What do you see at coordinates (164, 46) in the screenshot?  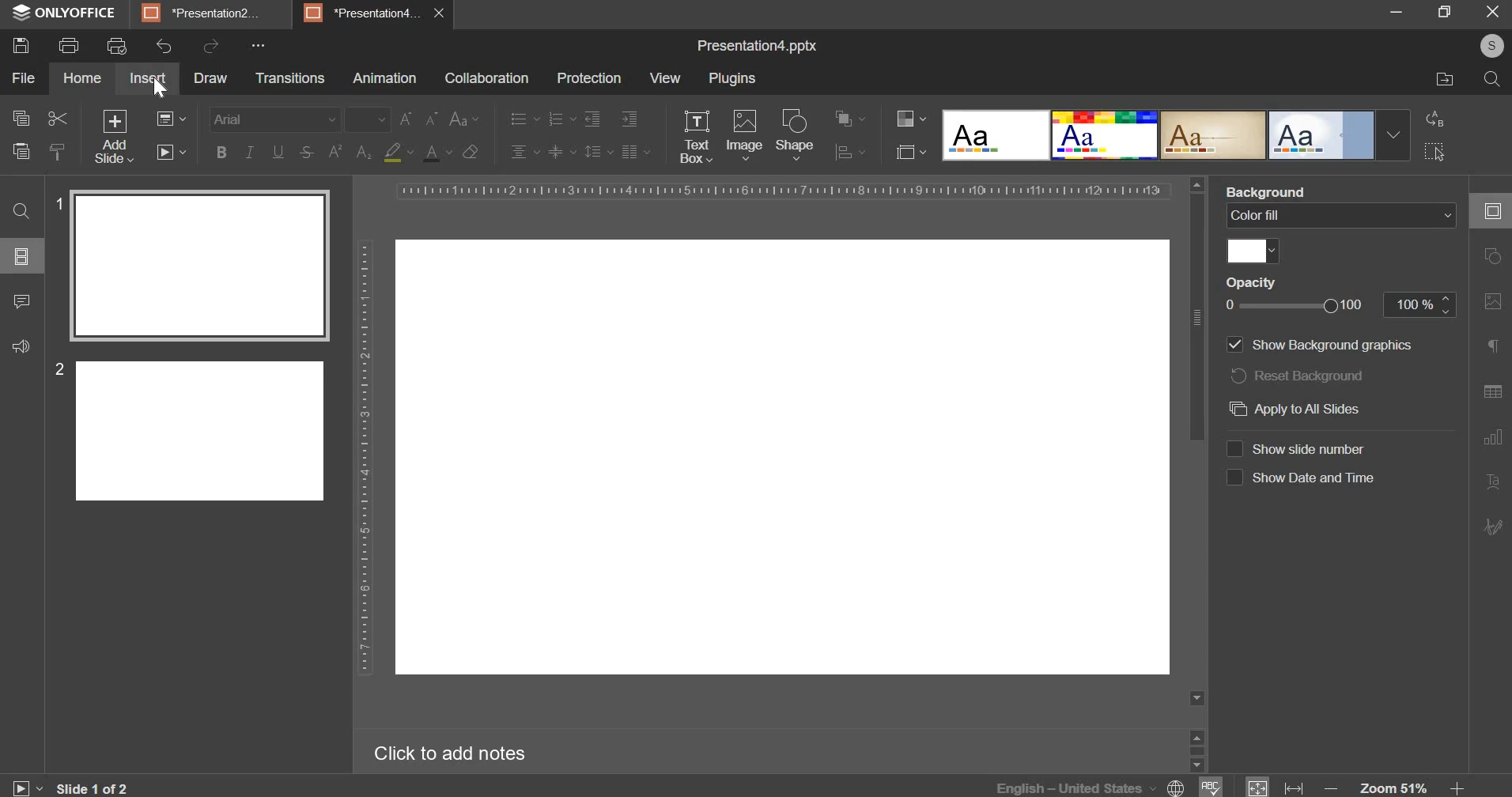 I see `undo` at bounding box center [164, 46].